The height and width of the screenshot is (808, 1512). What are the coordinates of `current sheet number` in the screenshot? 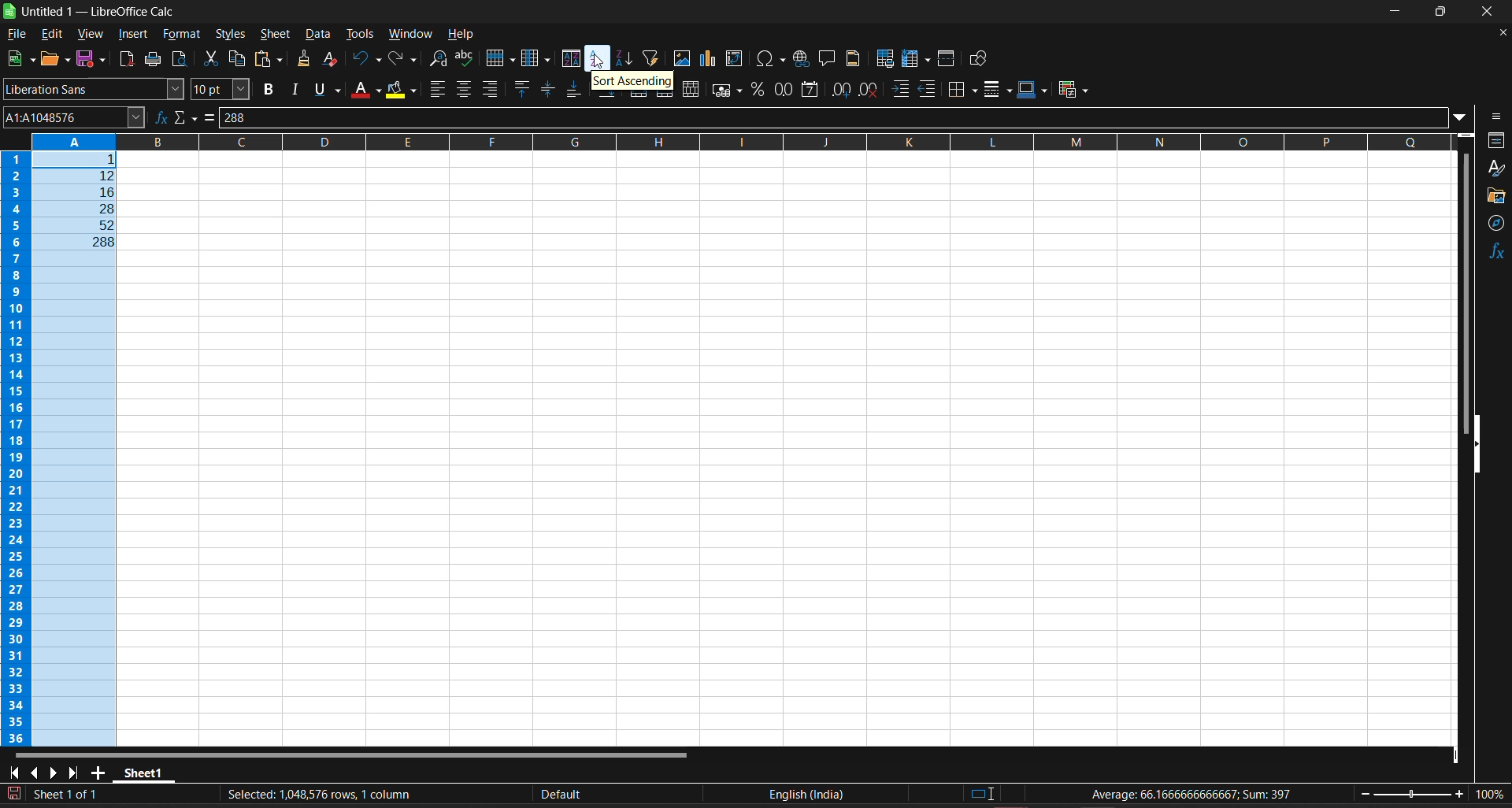 It's located at (69, 795).